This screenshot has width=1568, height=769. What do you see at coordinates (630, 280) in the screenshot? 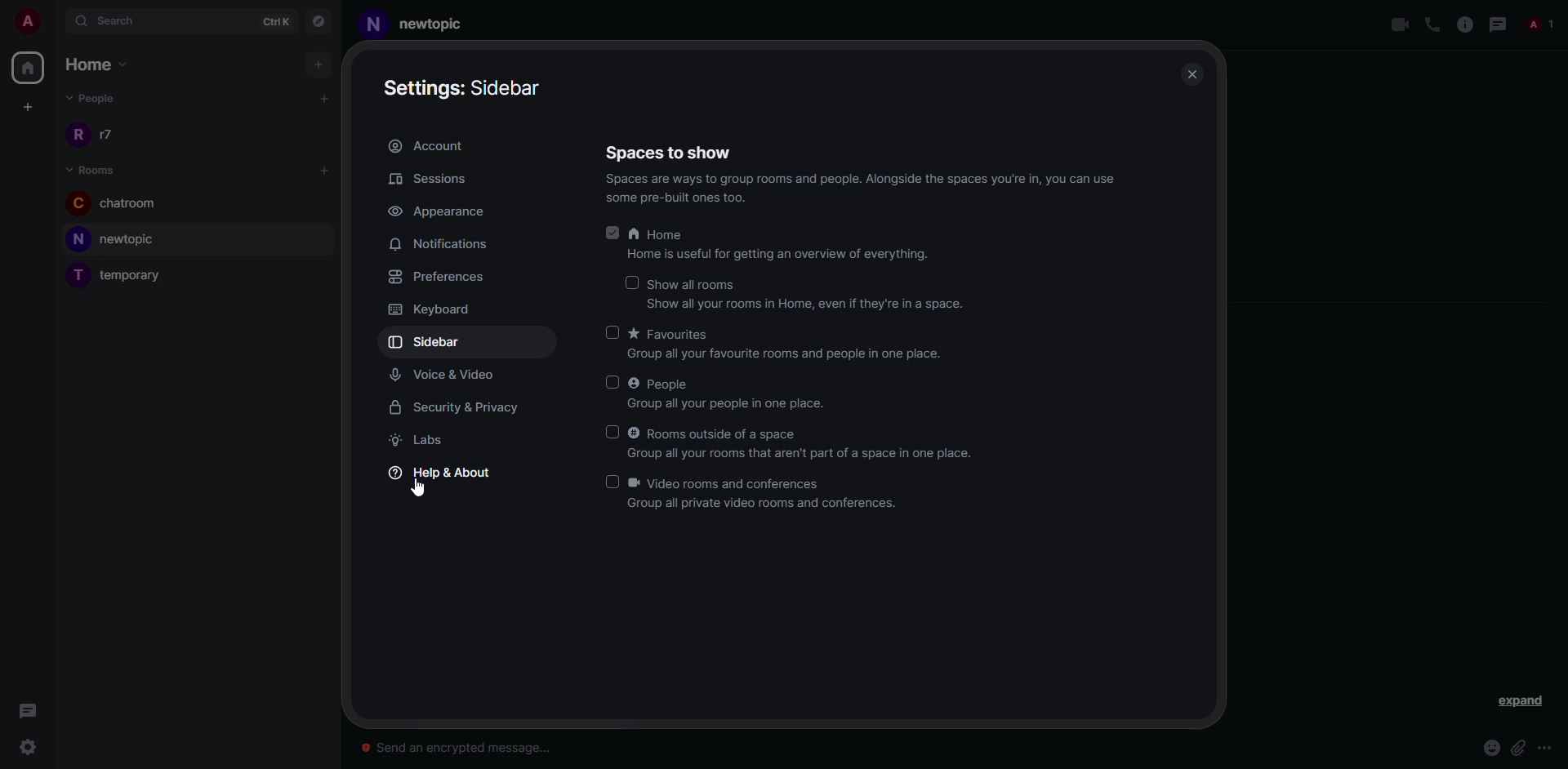
I see `select` at bounding box center [630, 280].